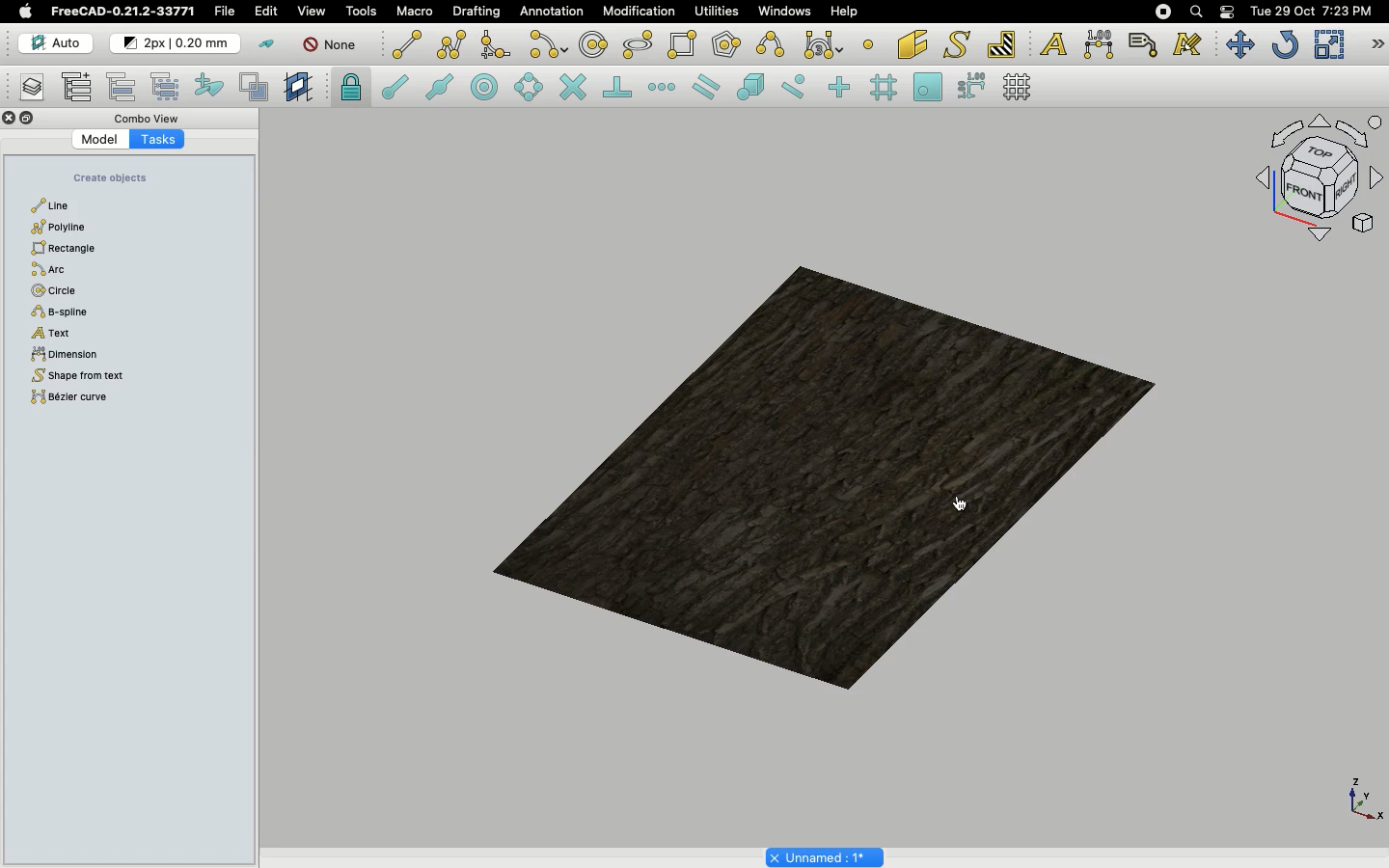 This screenshot has height=868, width=1389. Describe the element at coordinates (1284, 44) in the screenshot. I see `Refresh` at that location.